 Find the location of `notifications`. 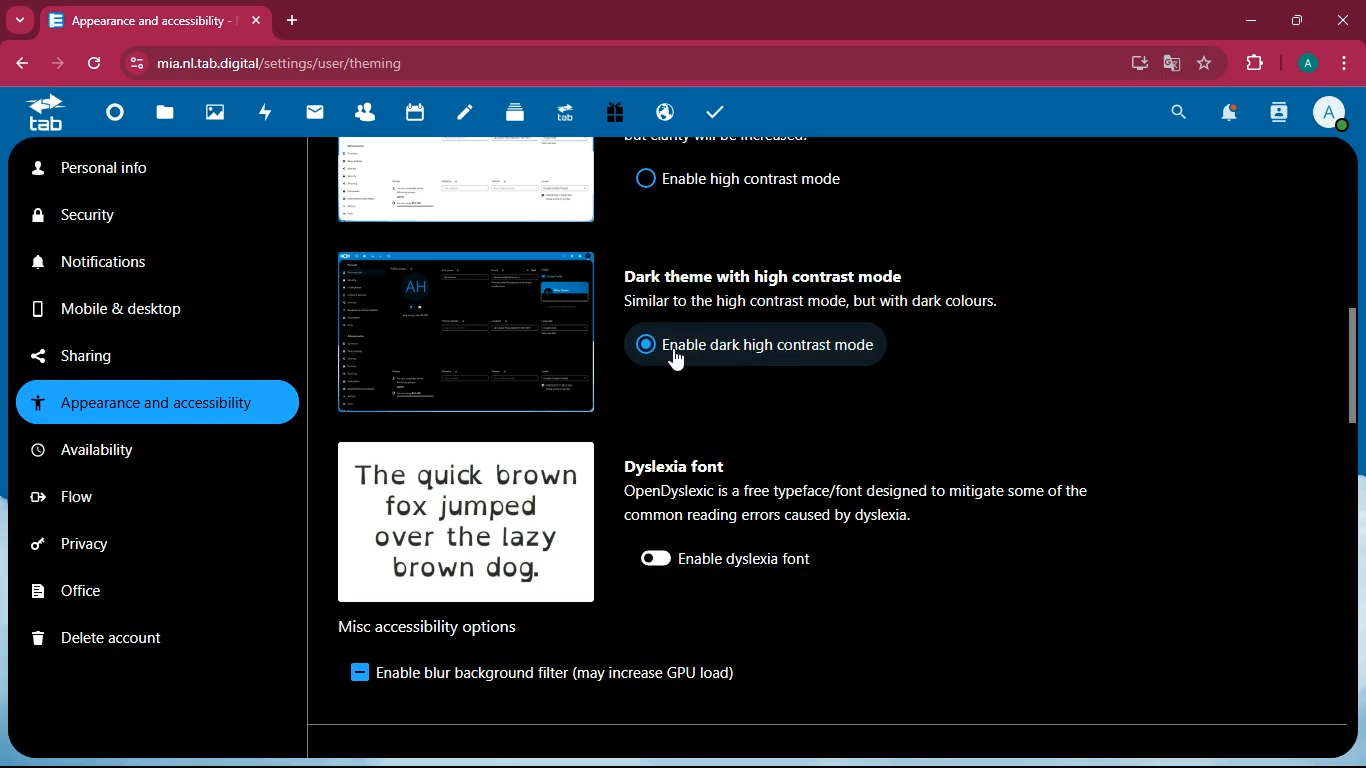

notifications is located at coordinates (140, 267).